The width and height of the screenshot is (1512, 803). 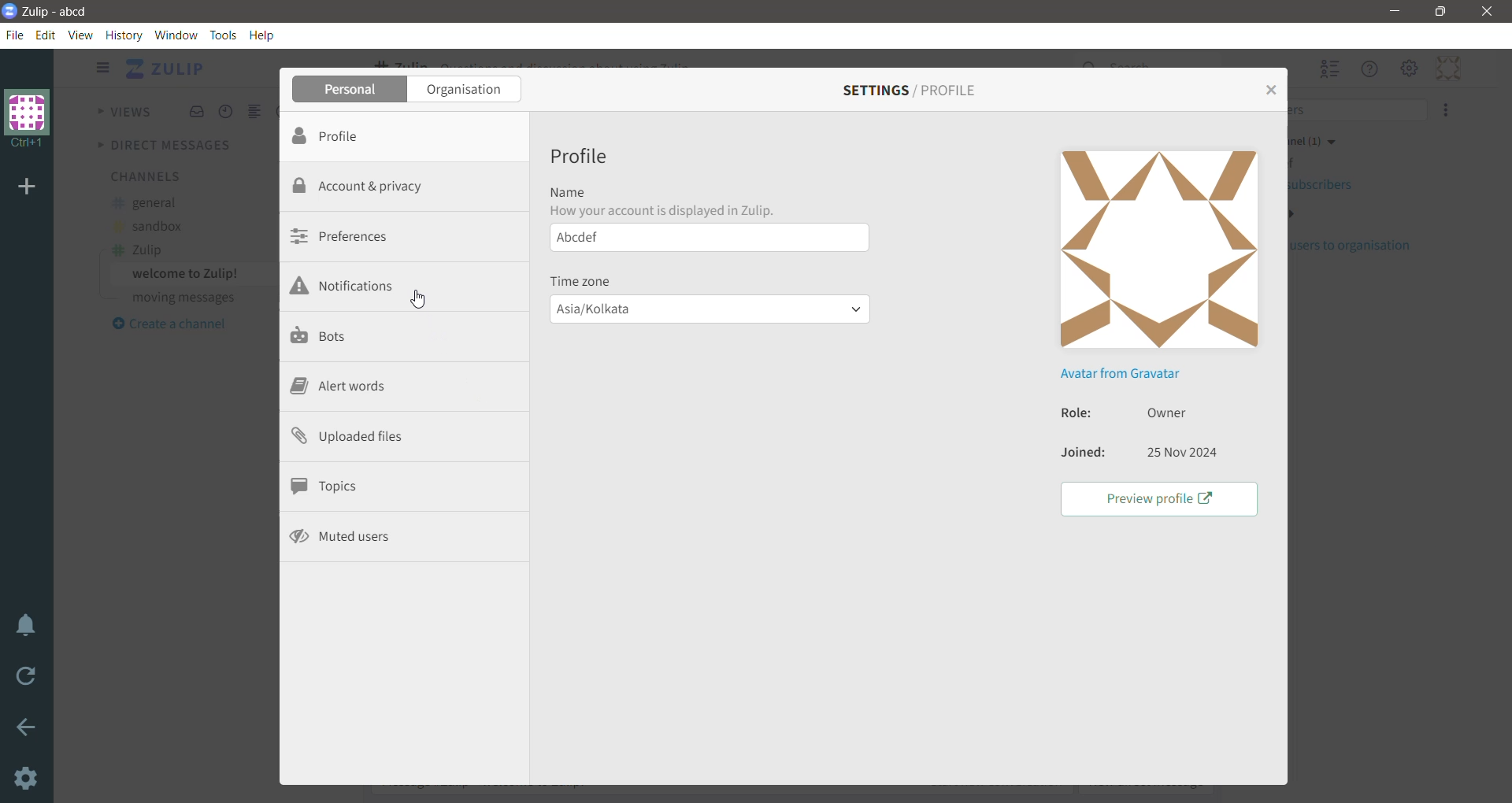 I want to click on Restore Down, so click(x=1442, y=12).